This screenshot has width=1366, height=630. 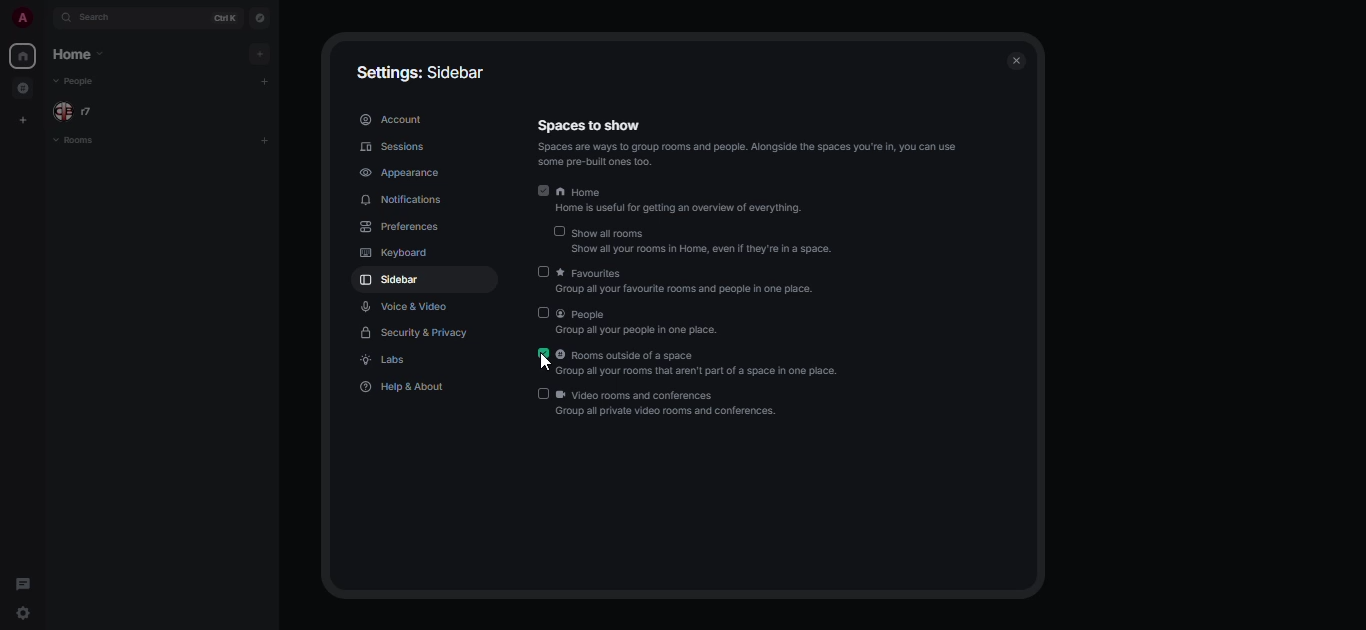 What do you see at coordinates (405, 387) in the screenshot?
I see `help & about` at bounding box center [405, 387].